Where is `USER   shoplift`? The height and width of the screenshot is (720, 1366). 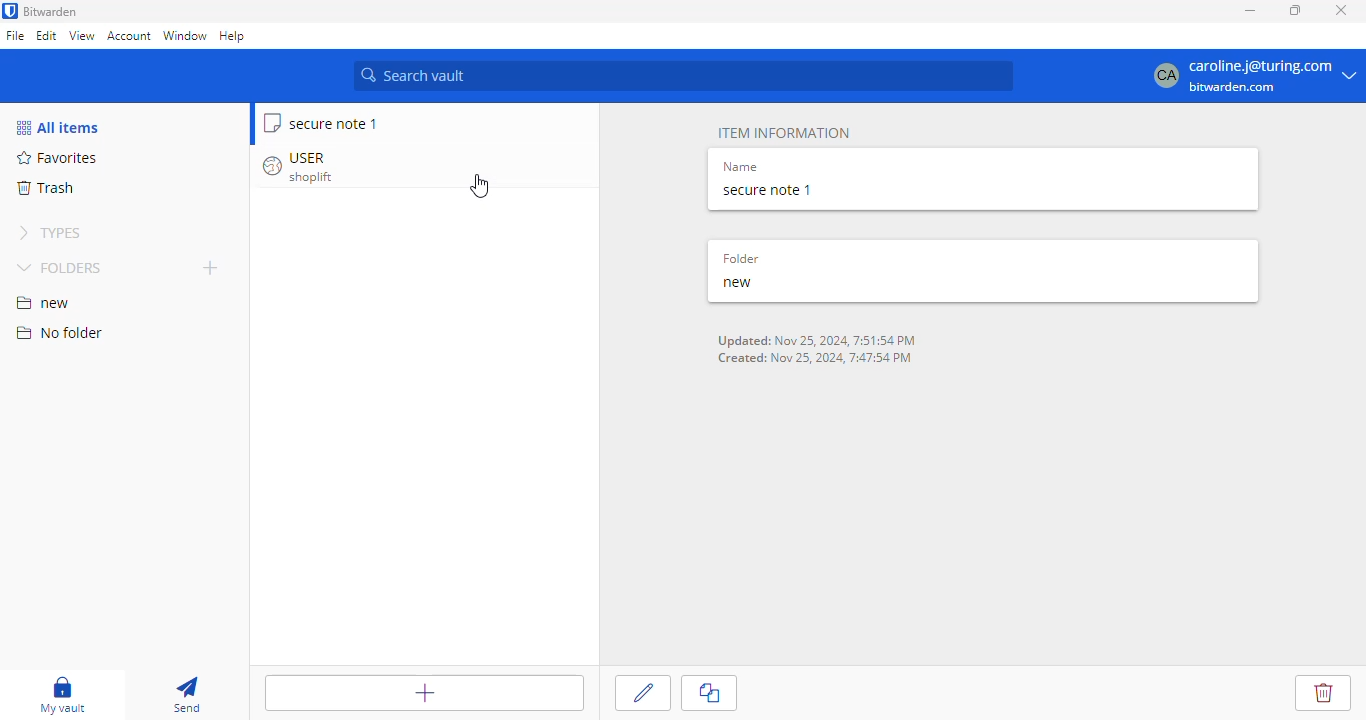 USER   shoplift is located at coordinates (317, 167).